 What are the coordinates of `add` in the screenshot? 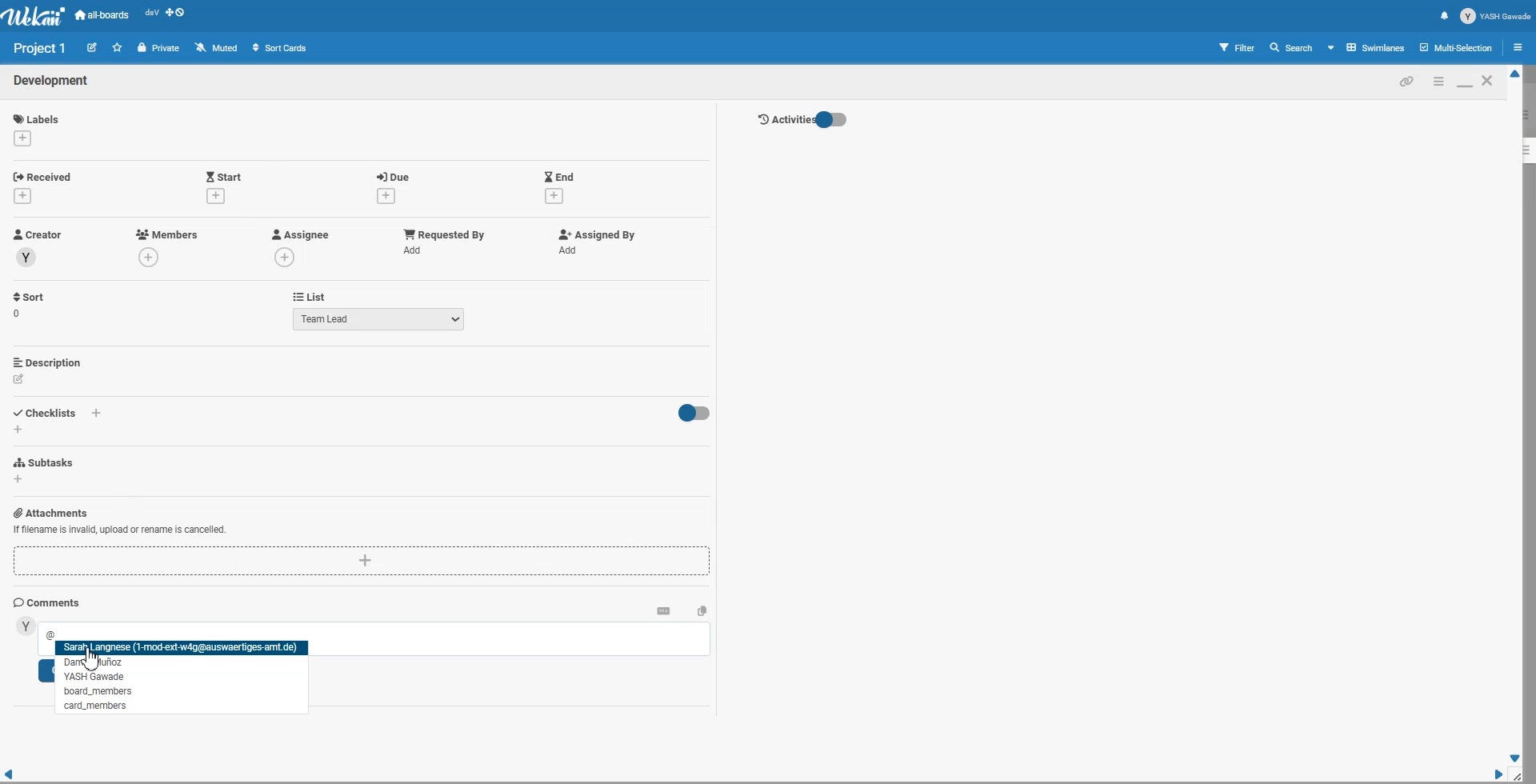 It's located at (151, 258).